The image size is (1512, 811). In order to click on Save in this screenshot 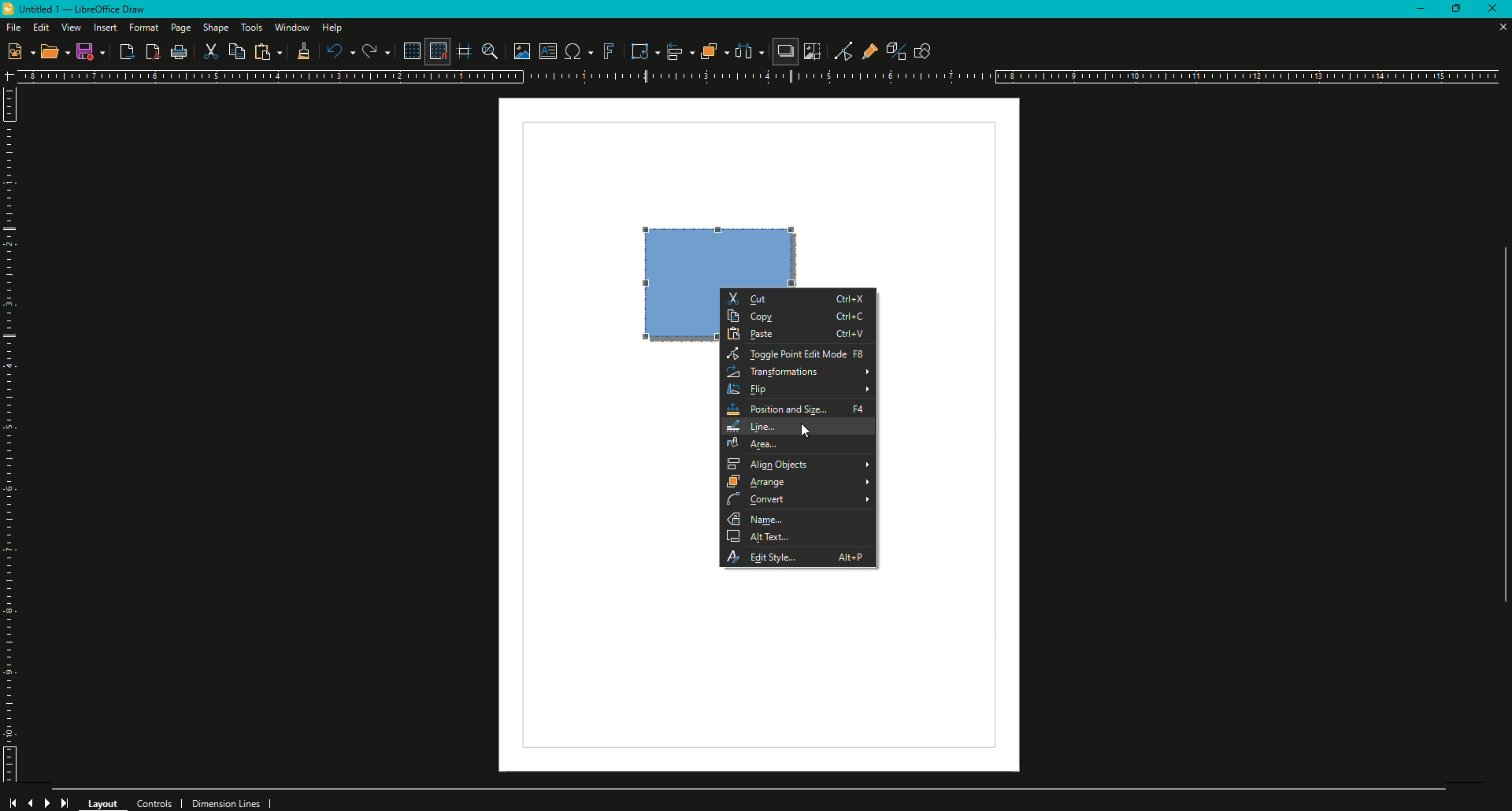, I will do `click(91, 51)`.